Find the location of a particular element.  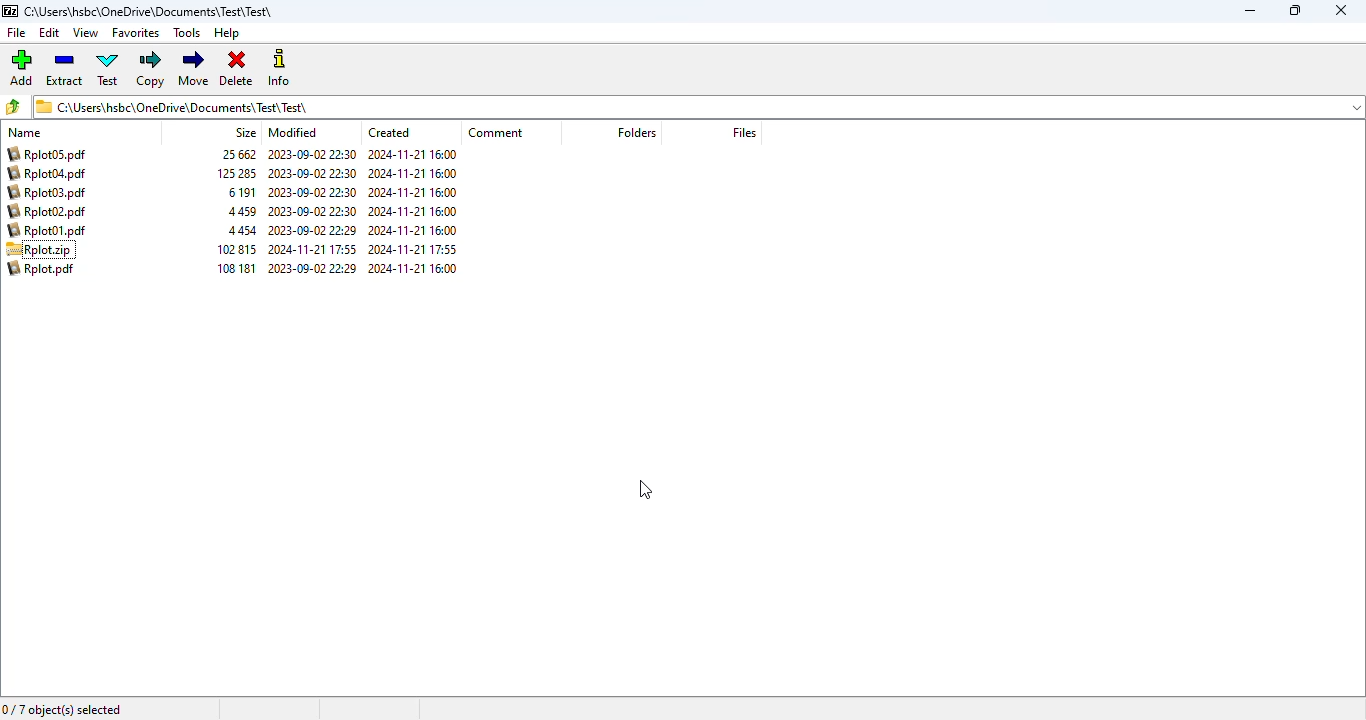

2024-11-21 17:55 is located at coordinates (414, 248).